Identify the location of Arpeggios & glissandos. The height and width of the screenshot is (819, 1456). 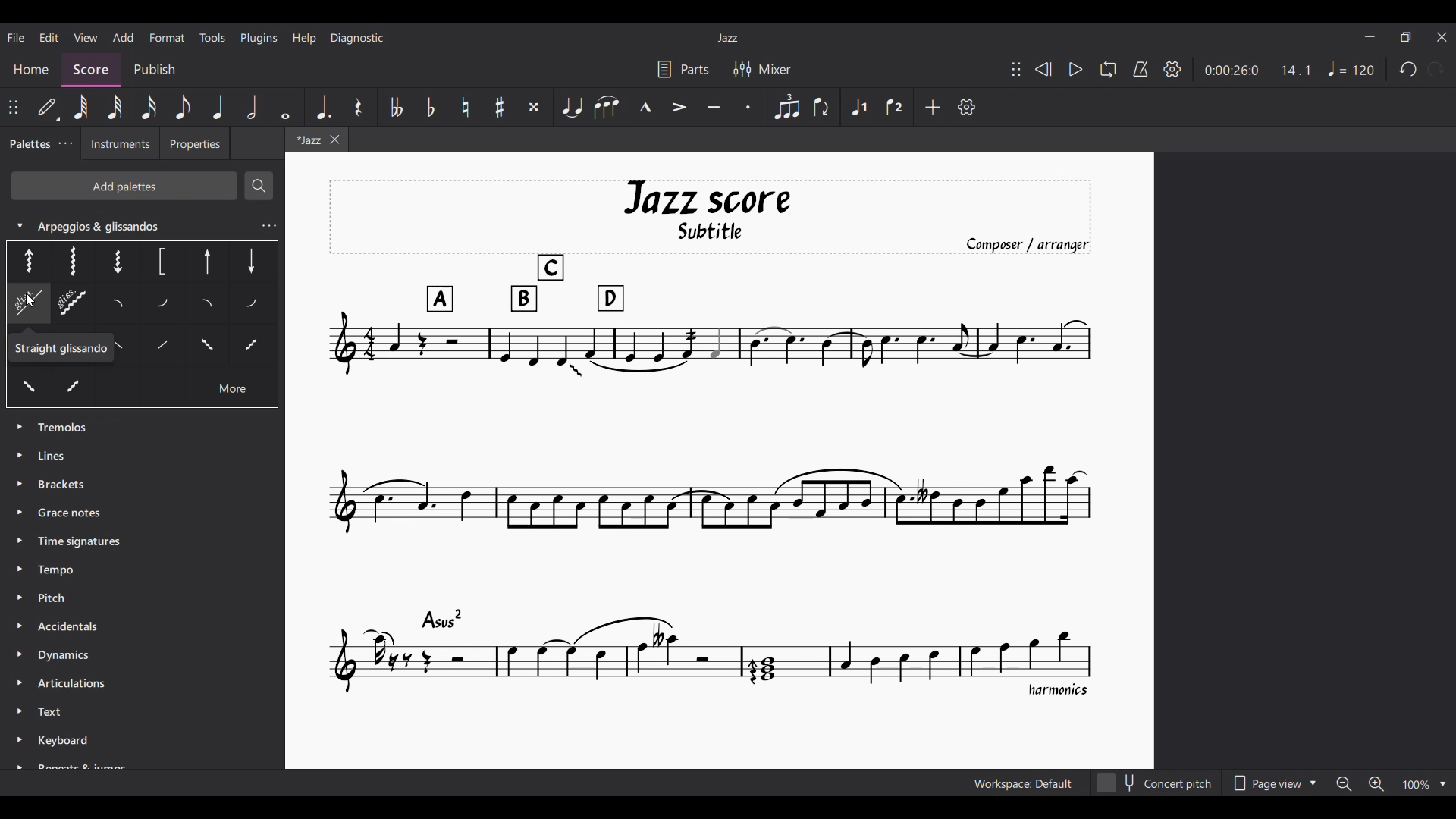
(124, 227).